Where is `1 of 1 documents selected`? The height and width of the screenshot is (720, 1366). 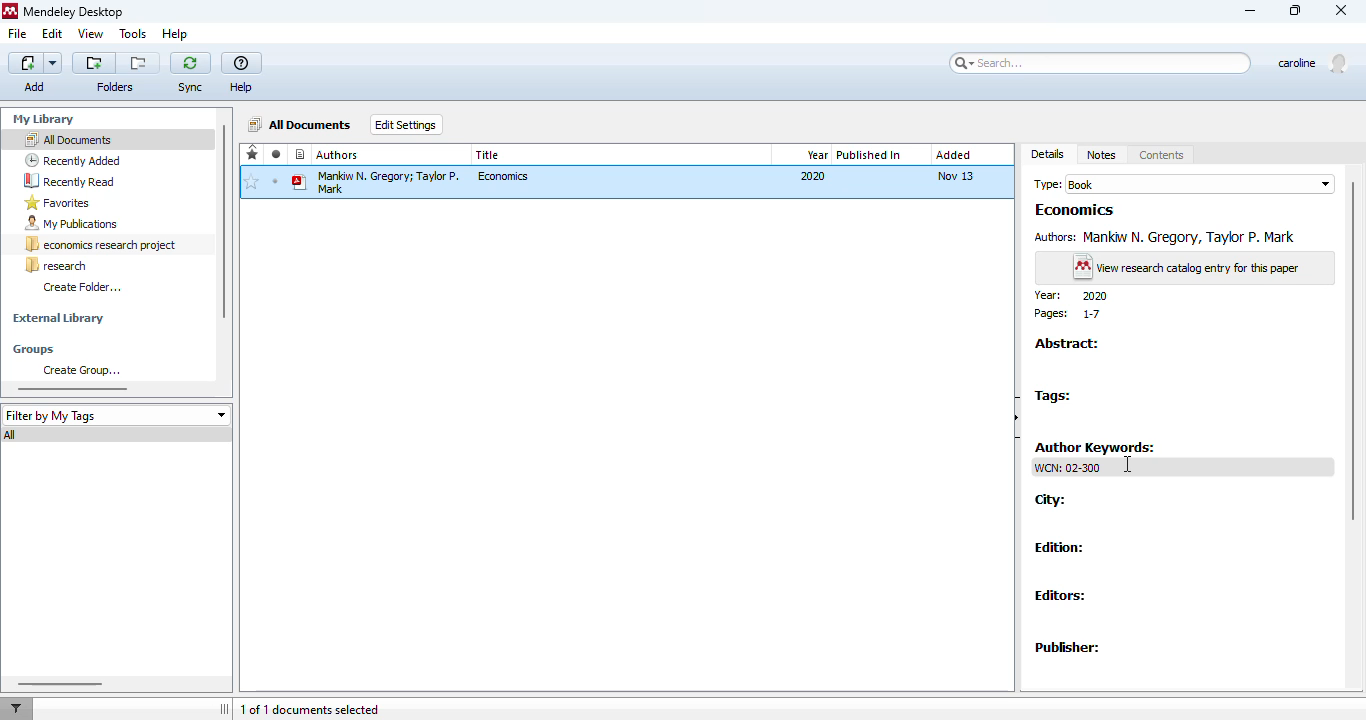
1 of 1 documents selected is located at coordinates (311, 710).